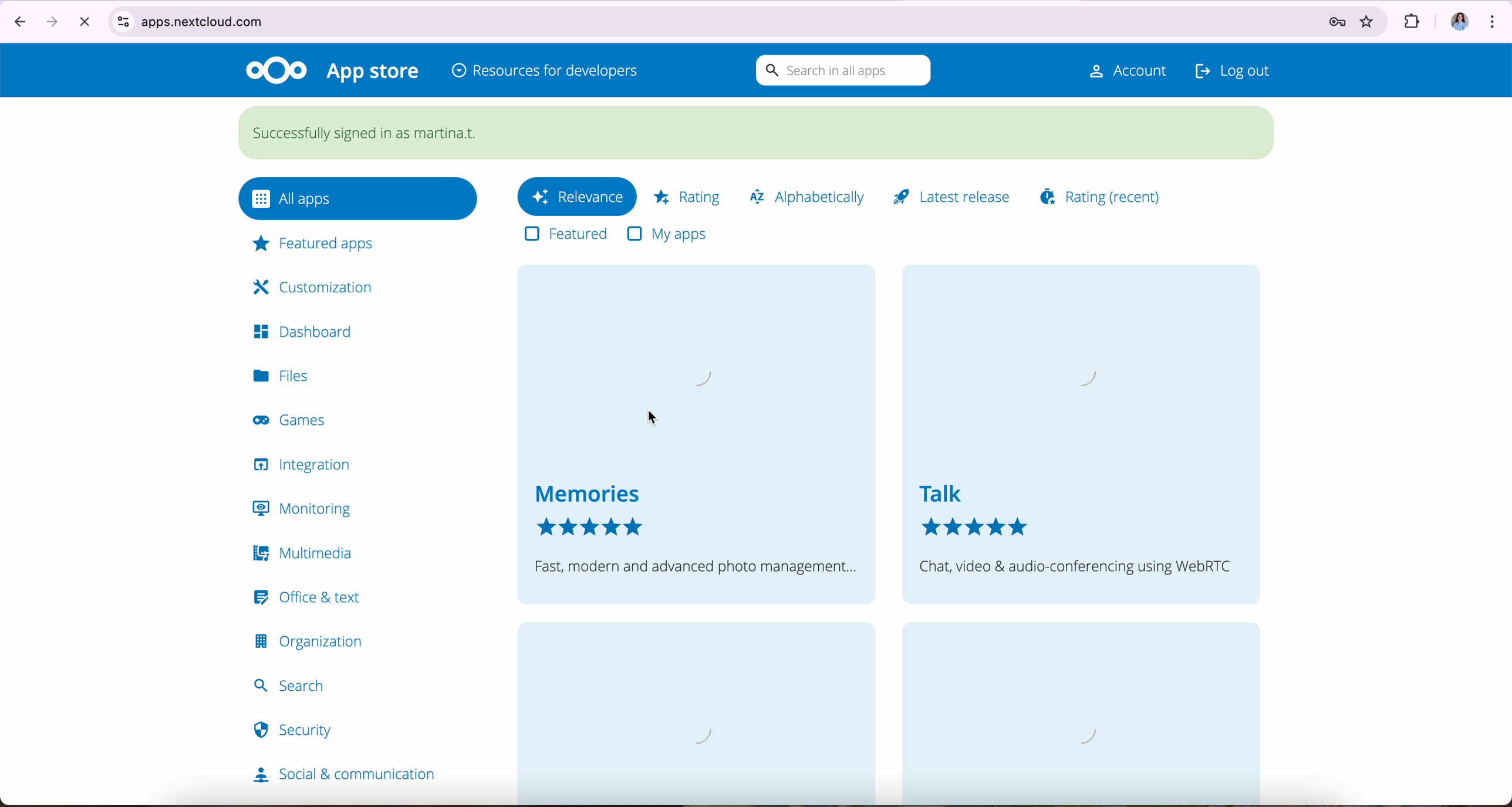  Describe the element at coordinates (840, 71) in the screenshot. I see `search in all apps` at that location.